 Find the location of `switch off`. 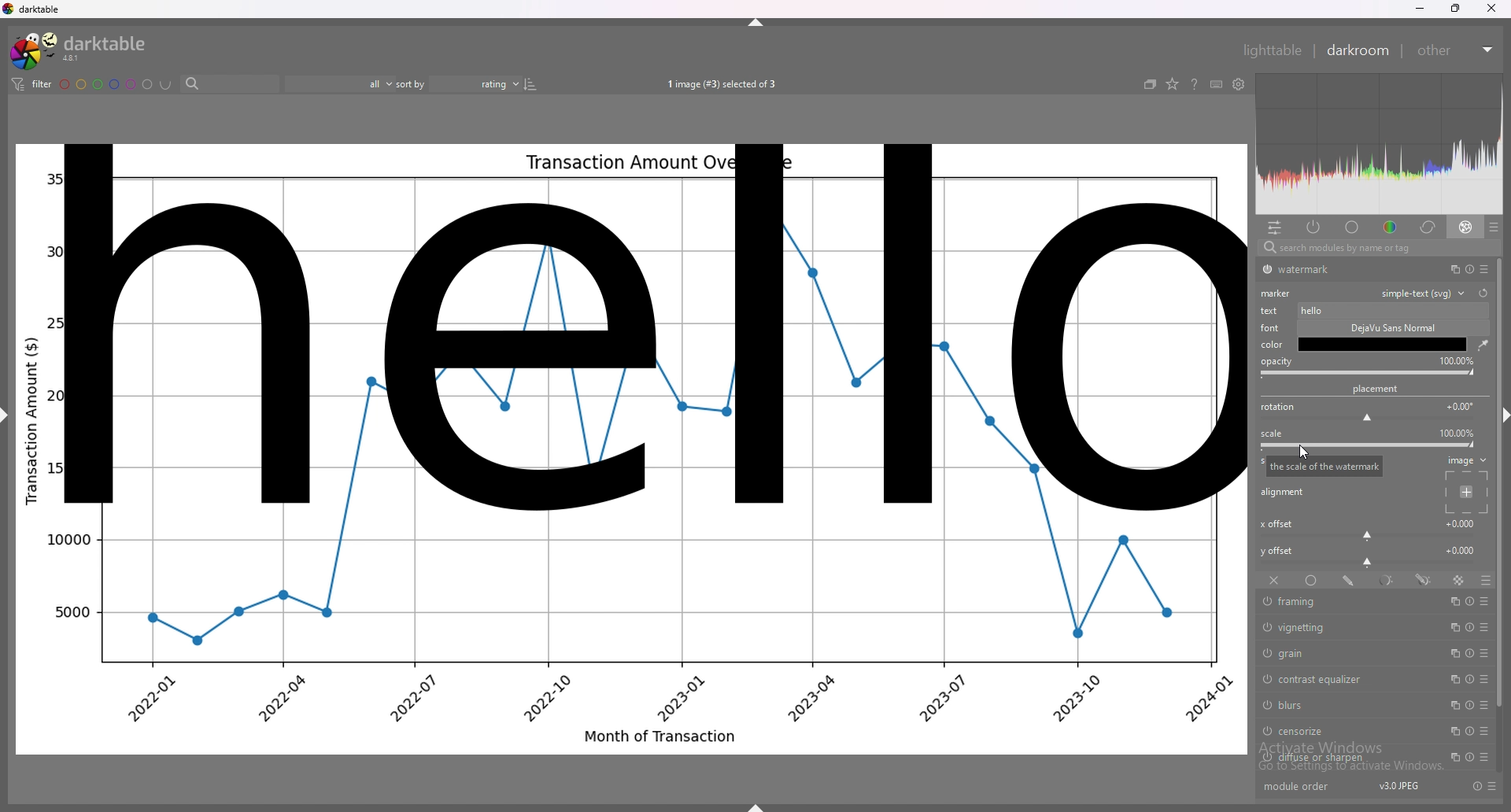

switch off is located at coordinates (1265, 733).